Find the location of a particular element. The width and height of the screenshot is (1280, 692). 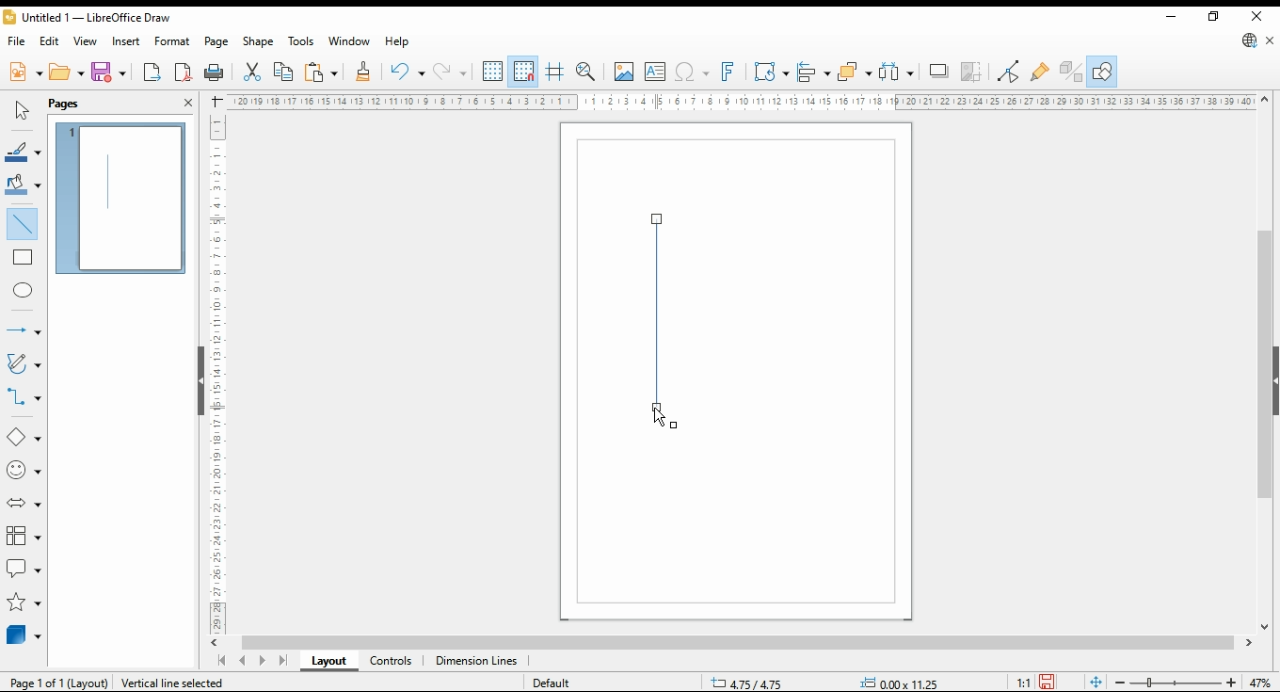

toggle extrusions is located at coordinates (1071, 72).